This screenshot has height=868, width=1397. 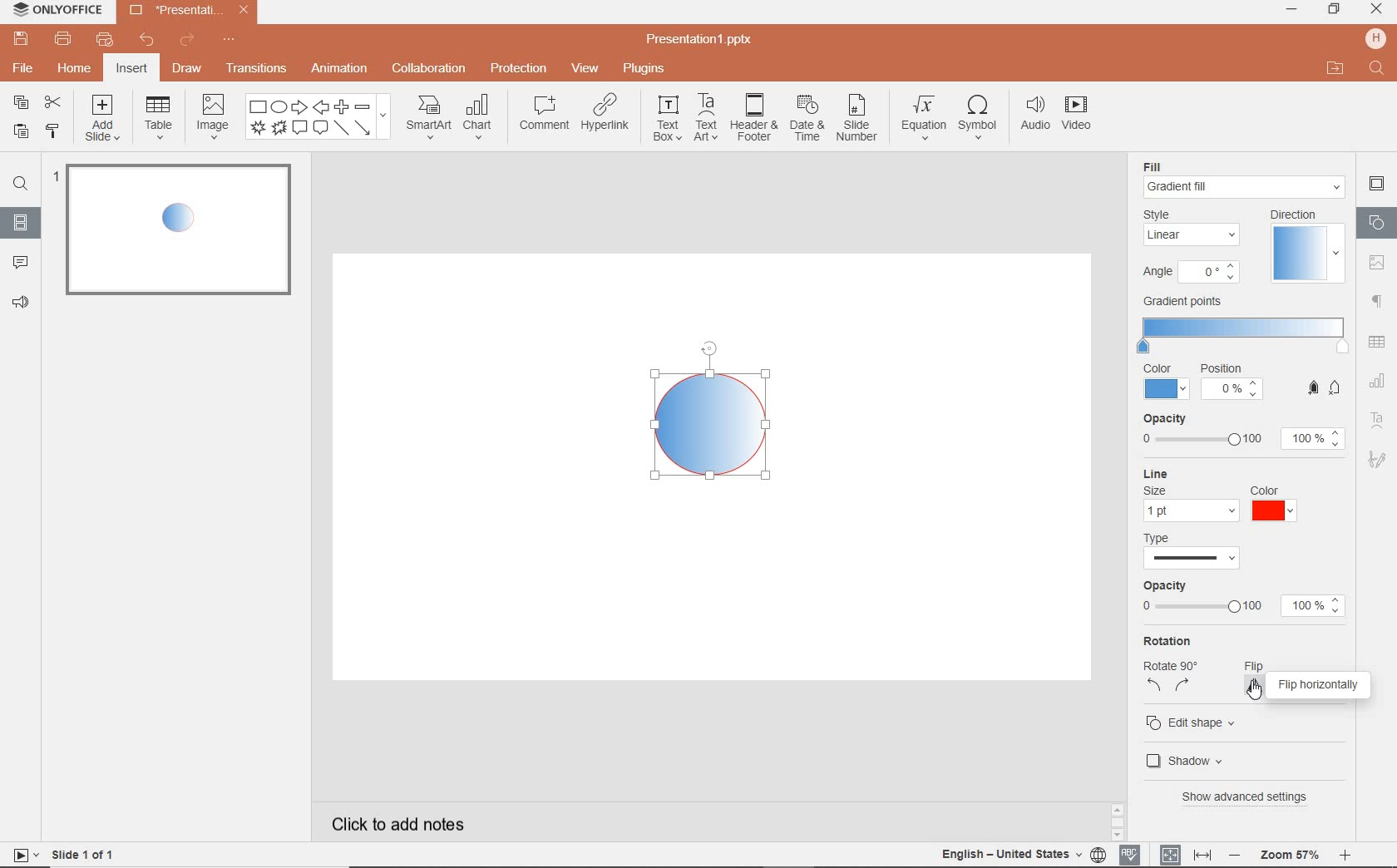 What do you see at coordinates (1376, 11) in the screenshot?
I see `close` at bounding box center [1376, 11].